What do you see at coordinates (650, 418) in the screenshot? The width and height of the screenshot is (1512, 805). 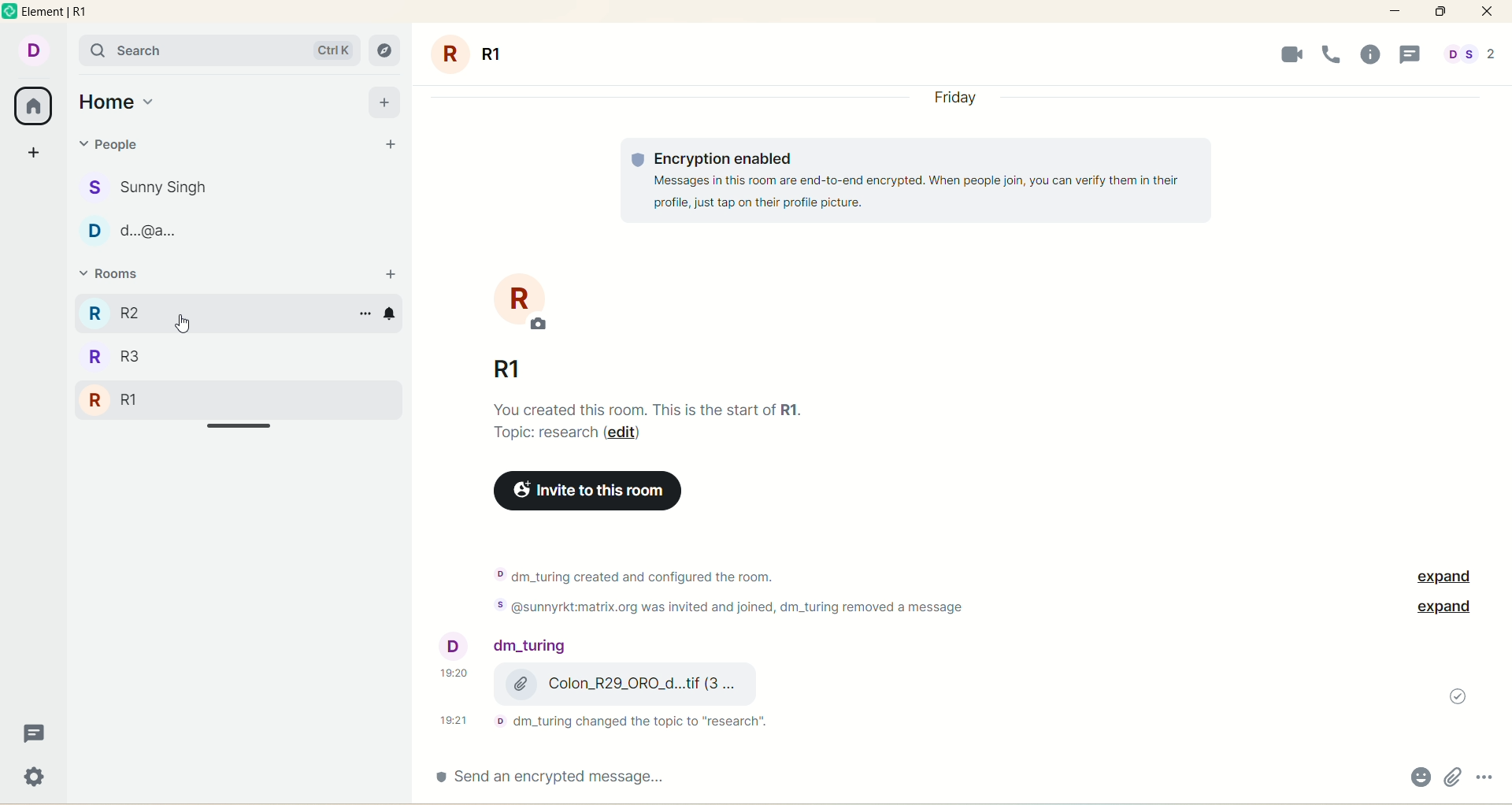 I see `text` at bounding box center [650, 418].